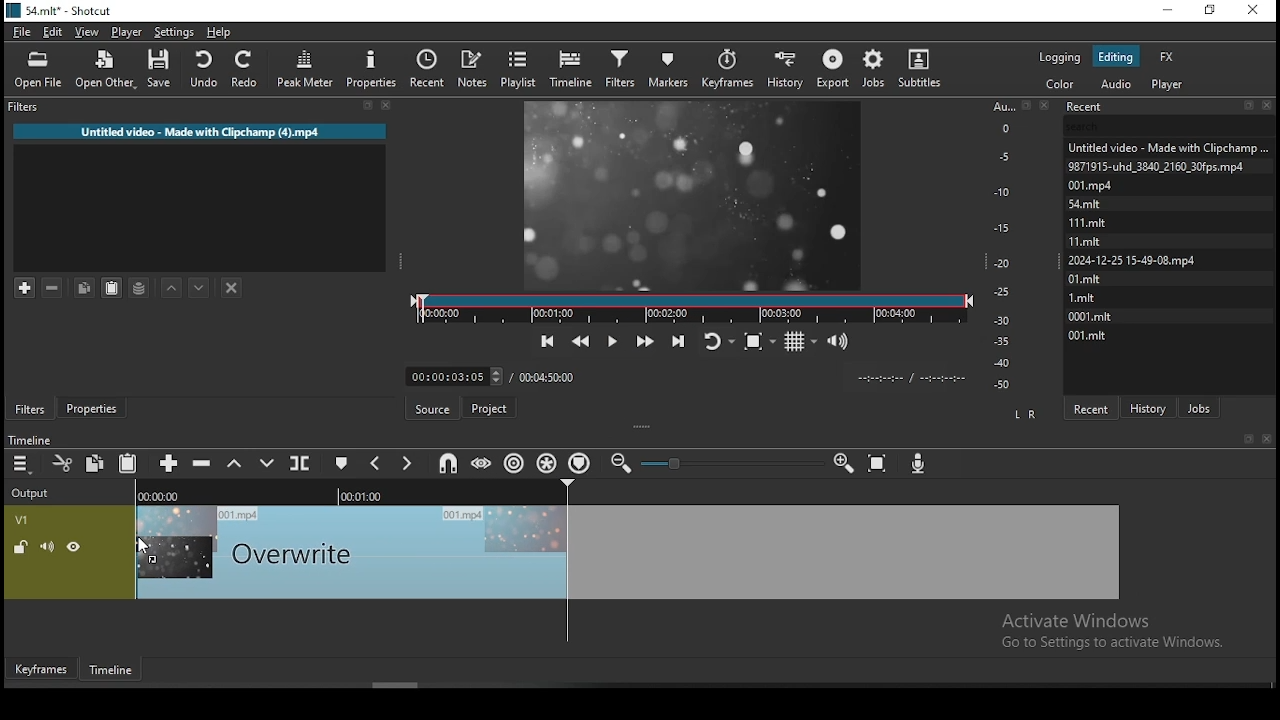 The image size is (1280, 720). What do you see at coordinates (198, 106) in the screenshot?
I see `Filter` at bounding box center [198, 106].